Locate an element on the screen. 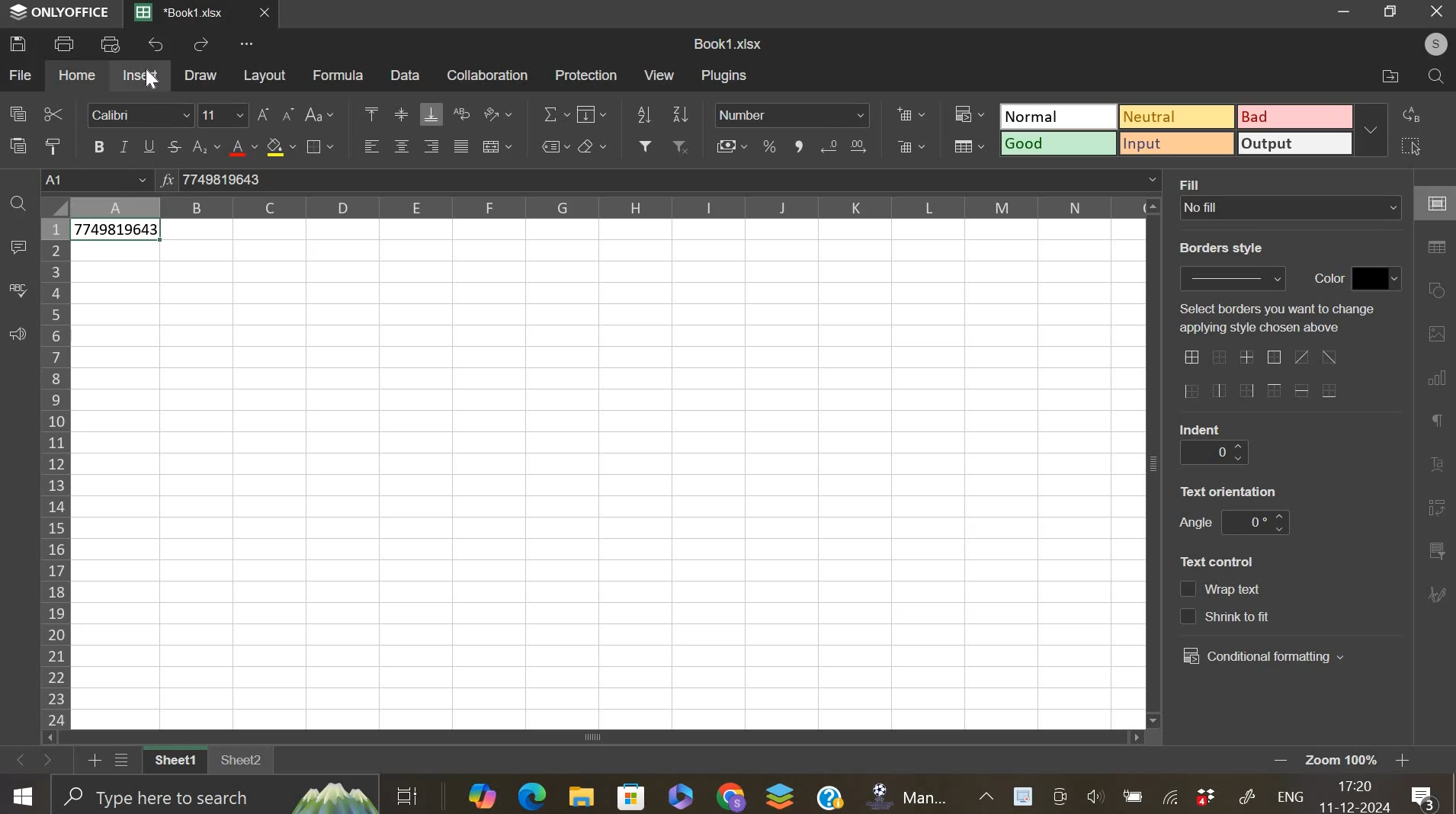 This screenshot has height=814, width=1456. align left is located at coordinates (371, 146).